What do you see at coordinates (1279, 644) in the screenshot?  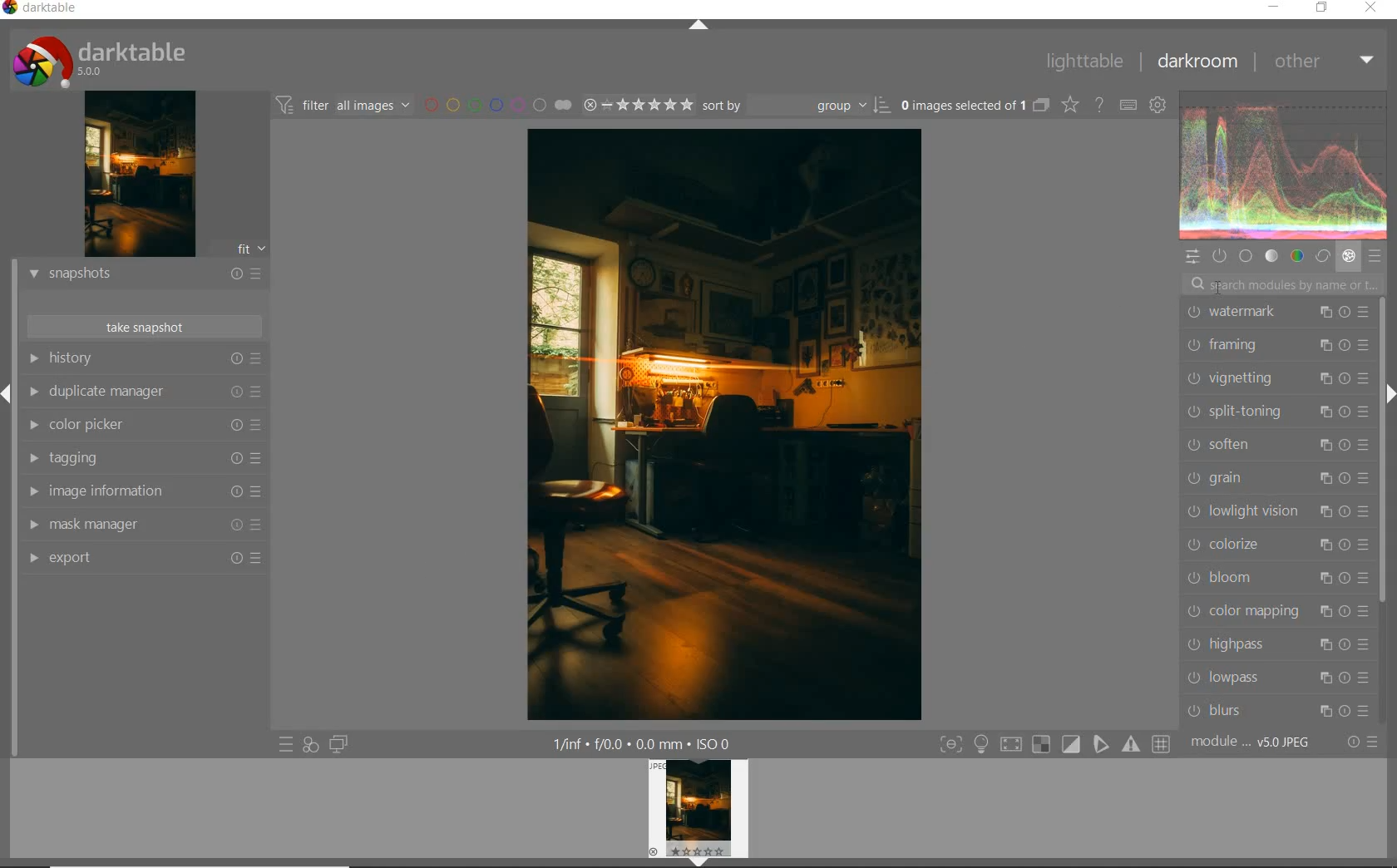 I see `highpass` at bounding box center [1279, 644].